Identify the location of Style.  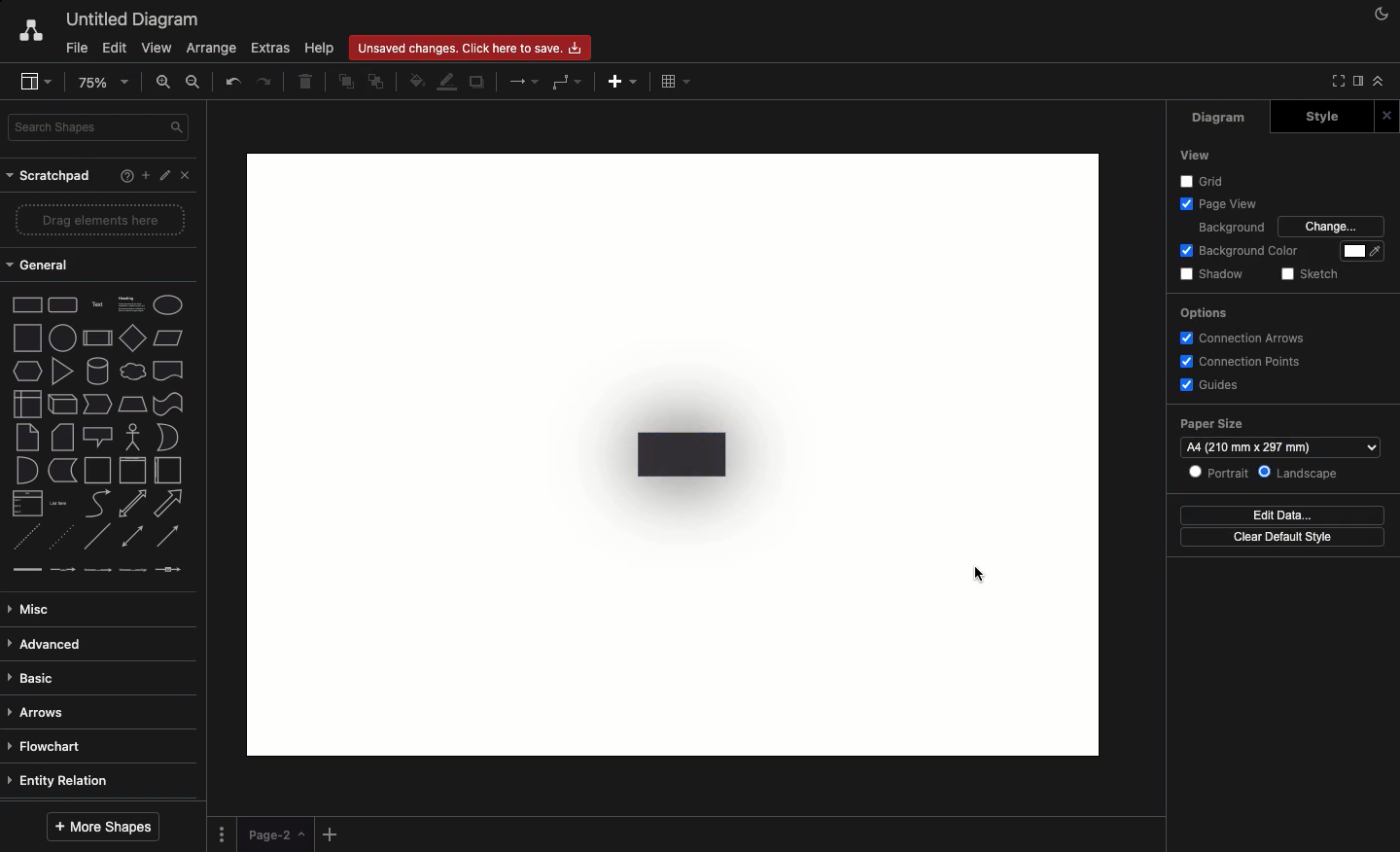
(1315, 117).